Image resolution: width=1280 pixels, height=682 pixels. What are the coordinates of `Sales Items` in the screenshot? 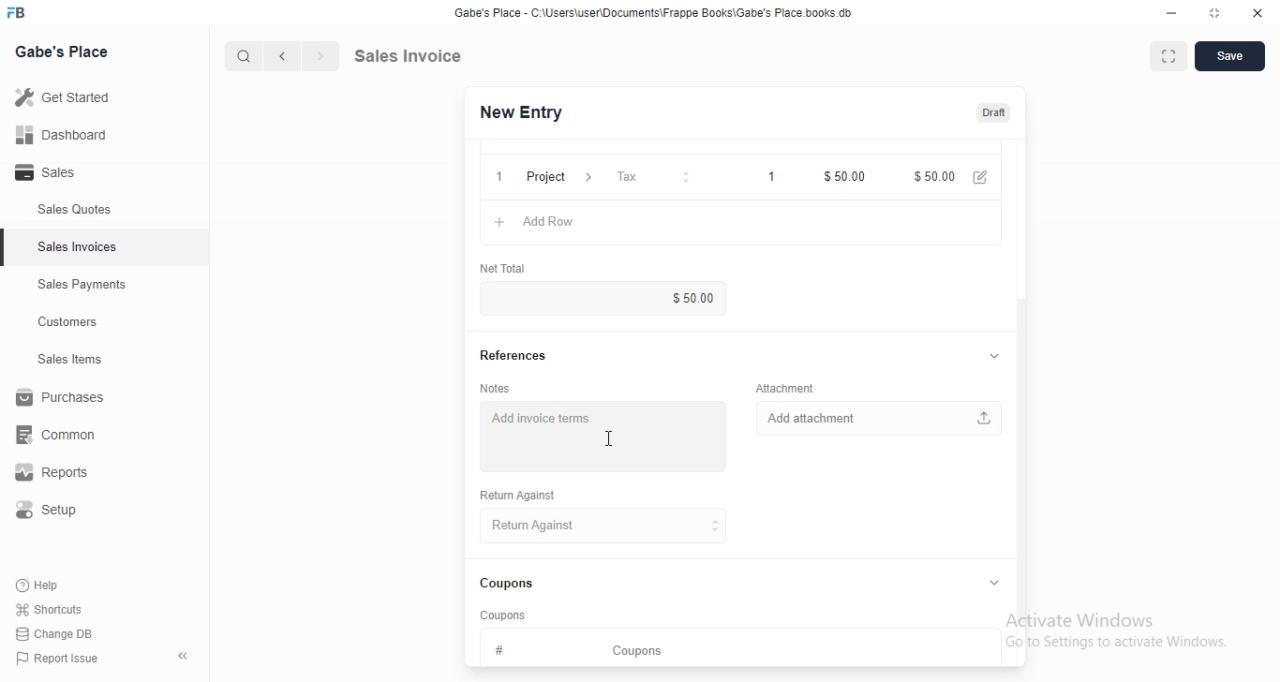 It's located at (61, 360).